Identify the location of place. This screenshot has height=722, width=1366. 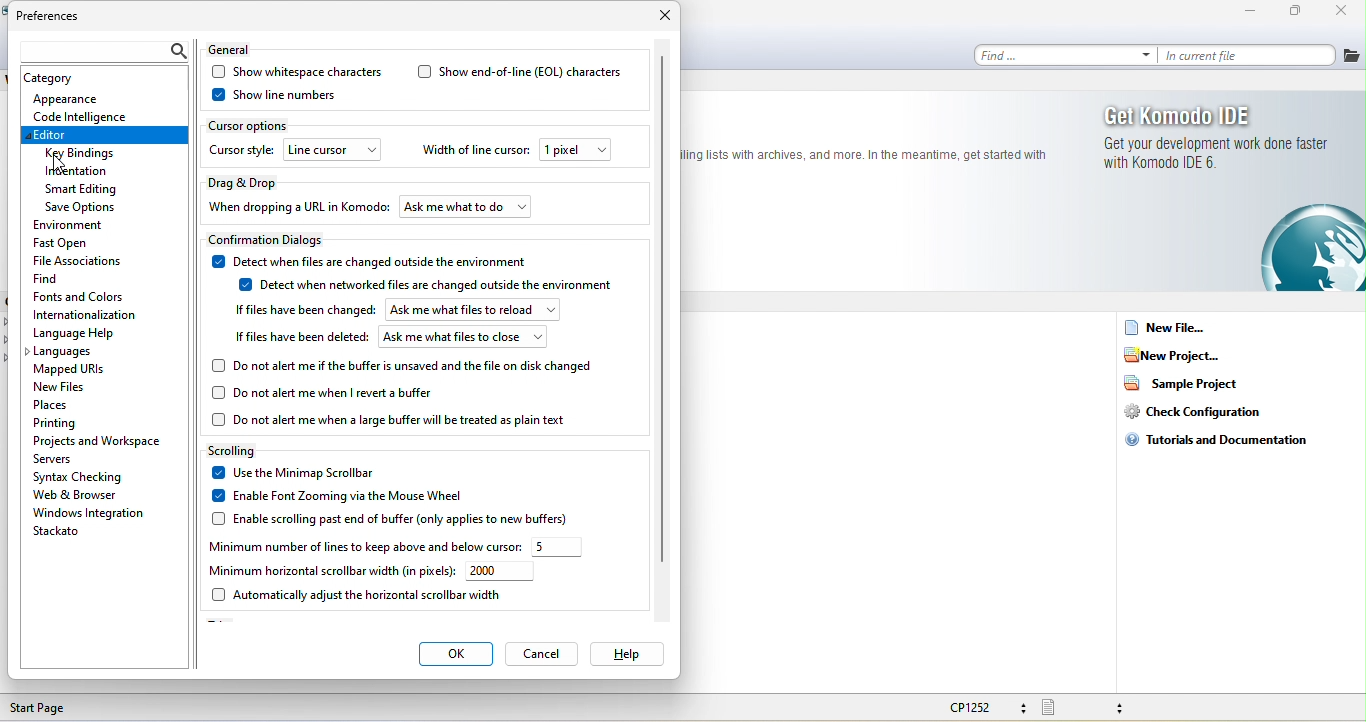
(70, 404).